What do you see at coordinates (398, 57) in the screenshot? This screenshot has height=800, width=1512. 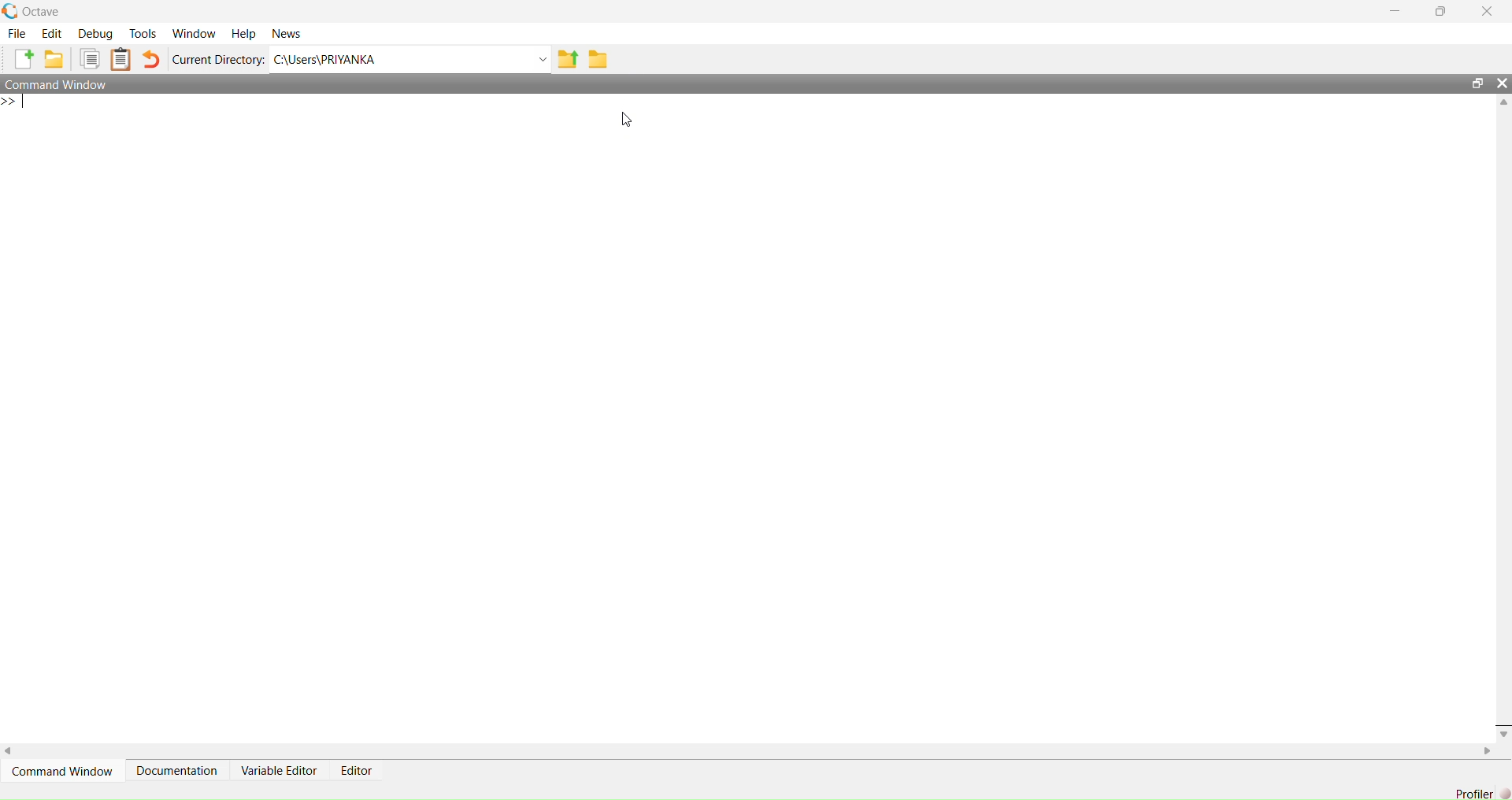 I see `C:/Users/PRIYANKA` at bounding box center [398, 57].